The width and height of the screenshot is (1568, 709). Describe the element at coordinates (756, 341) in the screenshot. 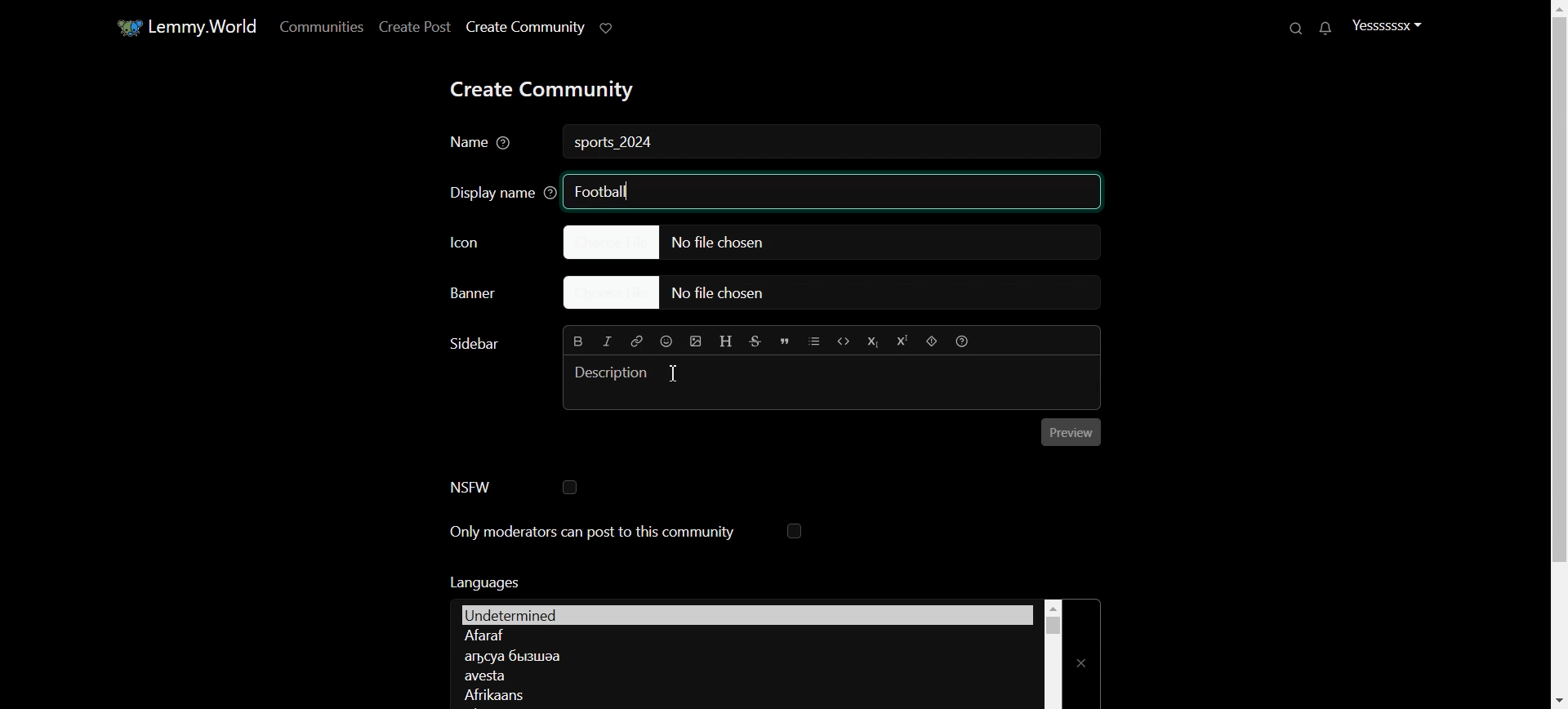

I see `Strikethrough` at that location.